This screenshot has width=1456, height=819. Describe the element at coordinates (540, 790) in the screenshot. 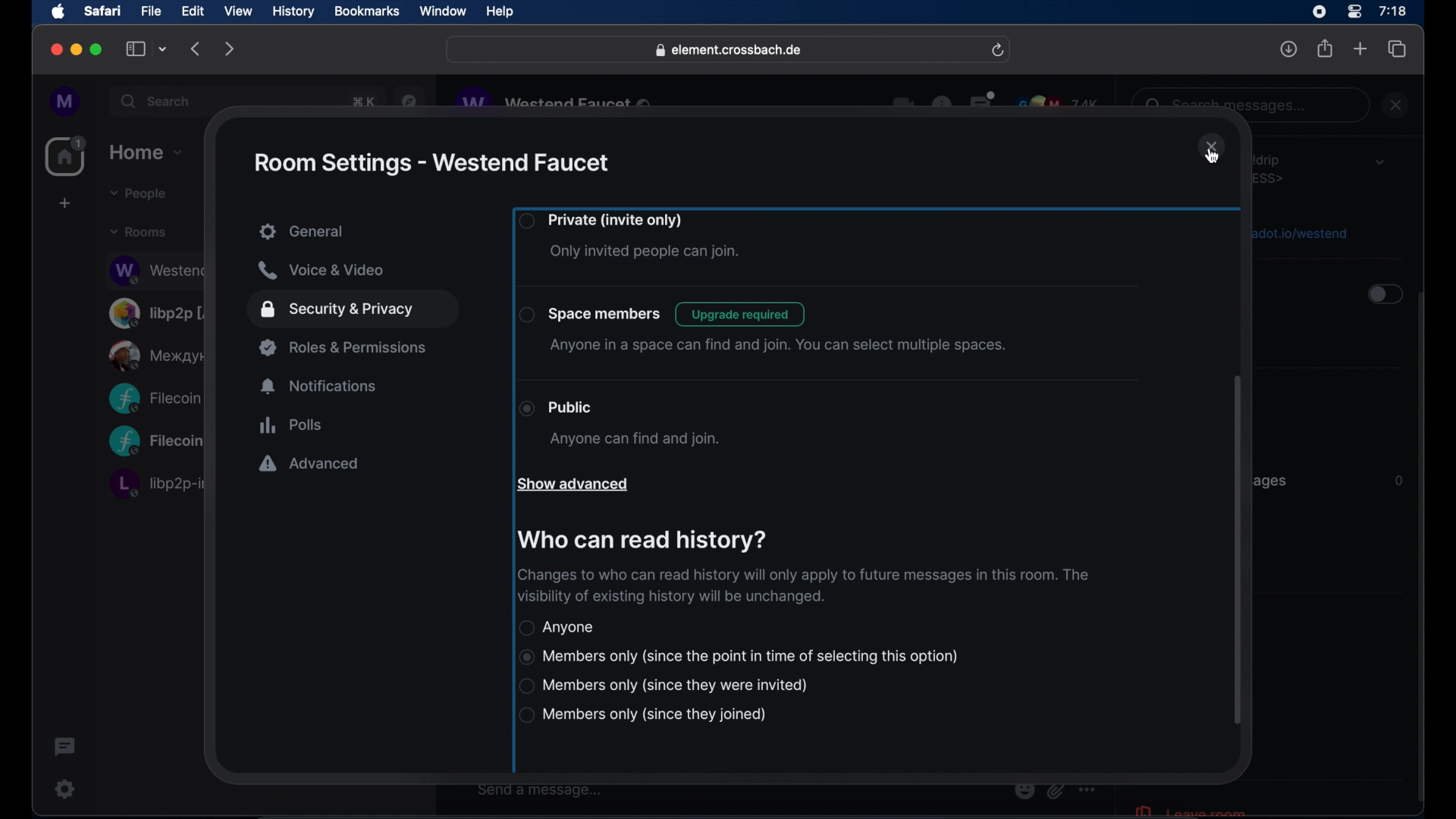

I see `send a message` at that location.